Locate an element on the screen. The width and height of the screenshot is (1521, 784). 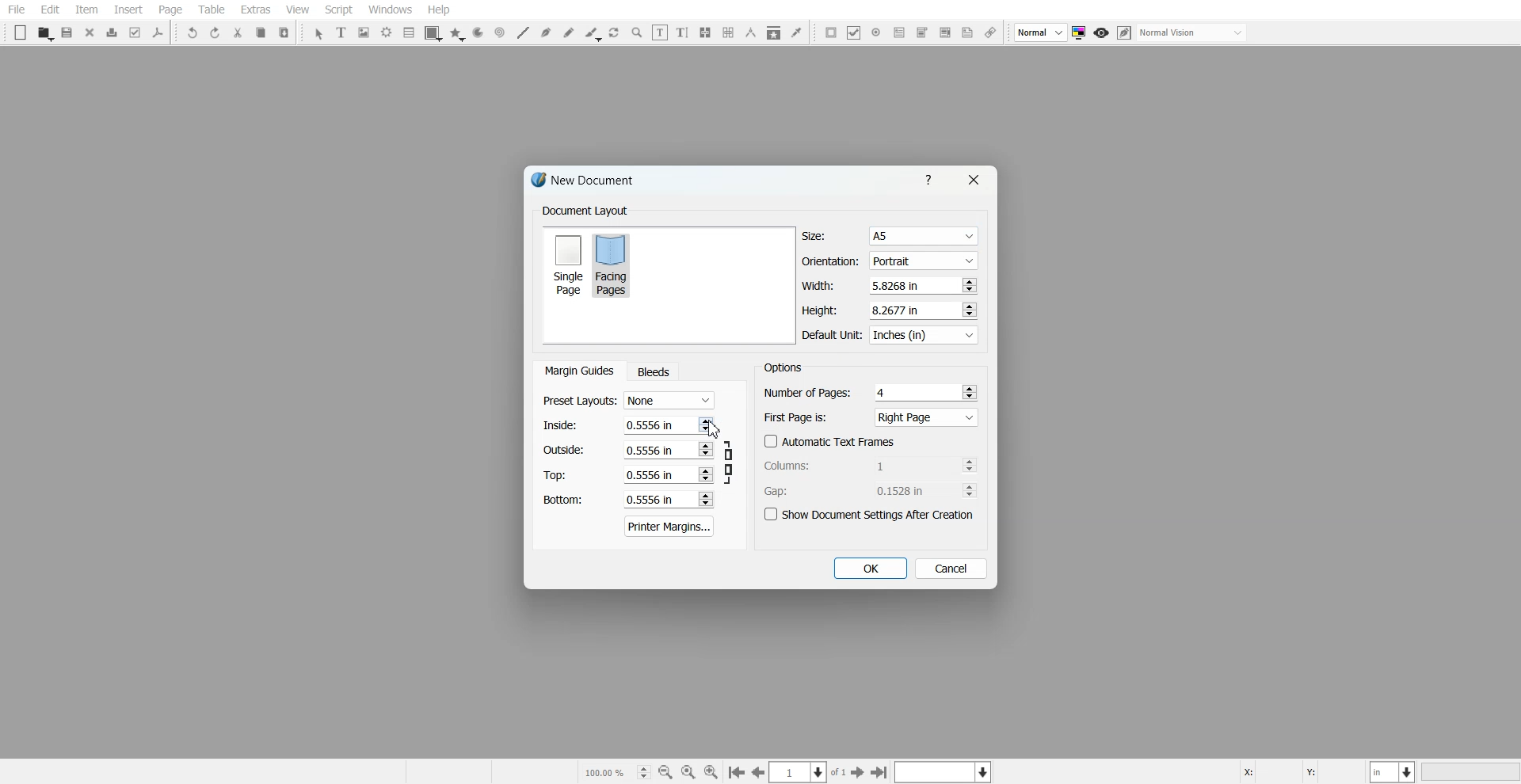
8.2677 in is located at coordinates (900, 310).